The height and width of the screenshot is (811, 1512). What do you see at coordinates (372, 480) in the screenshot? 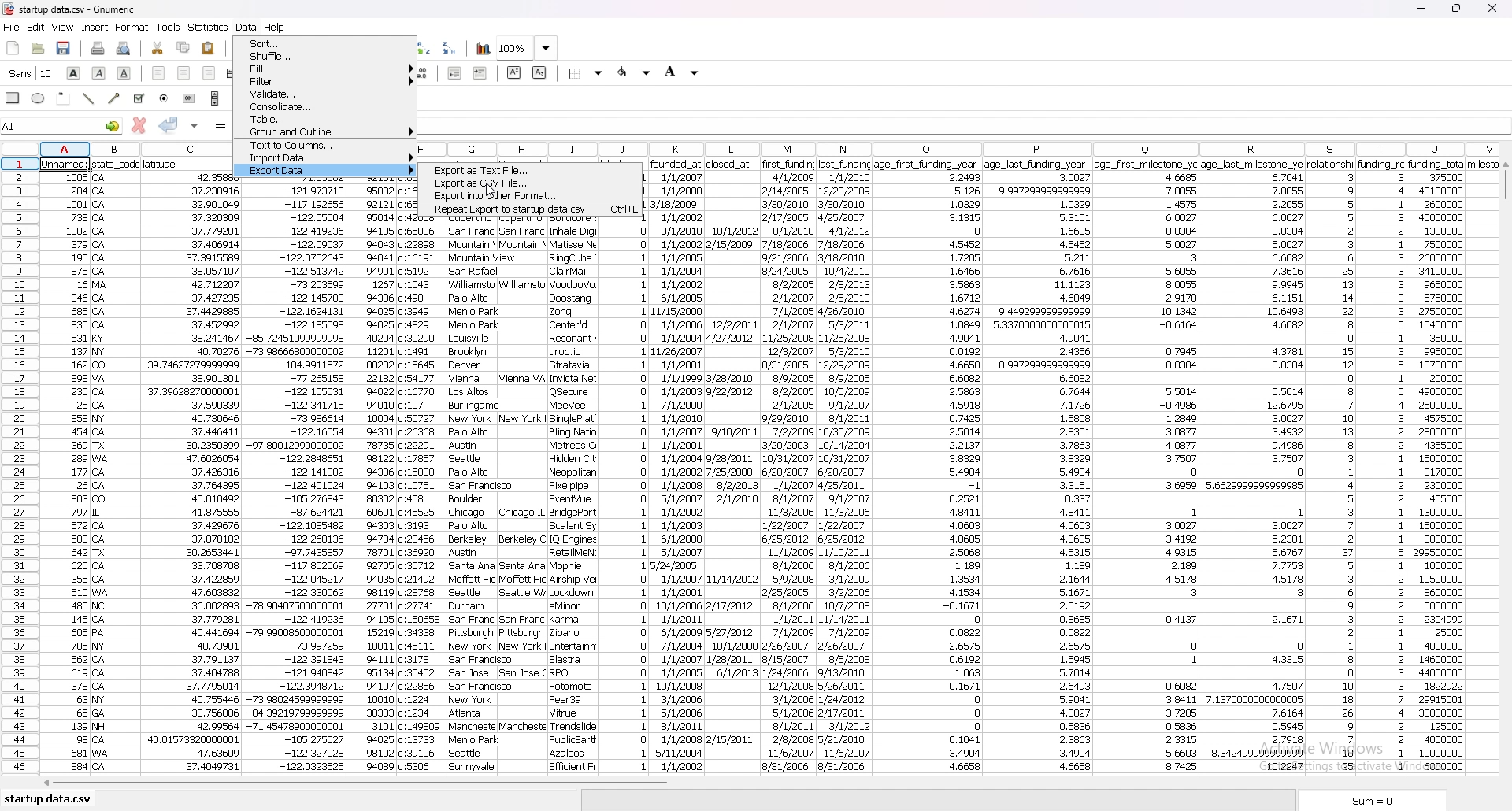
I see `data` at bounding box center [372, 480].